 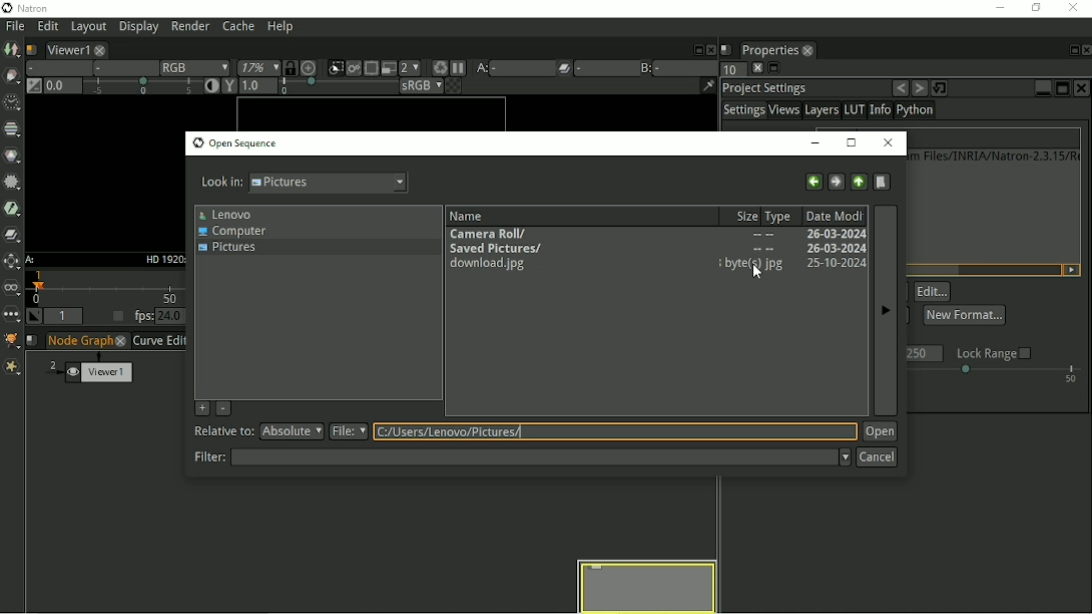 What do you see at coordinates (88, 341) in the screenshot?
I see `Node graph` at bounding box center [88, 341].